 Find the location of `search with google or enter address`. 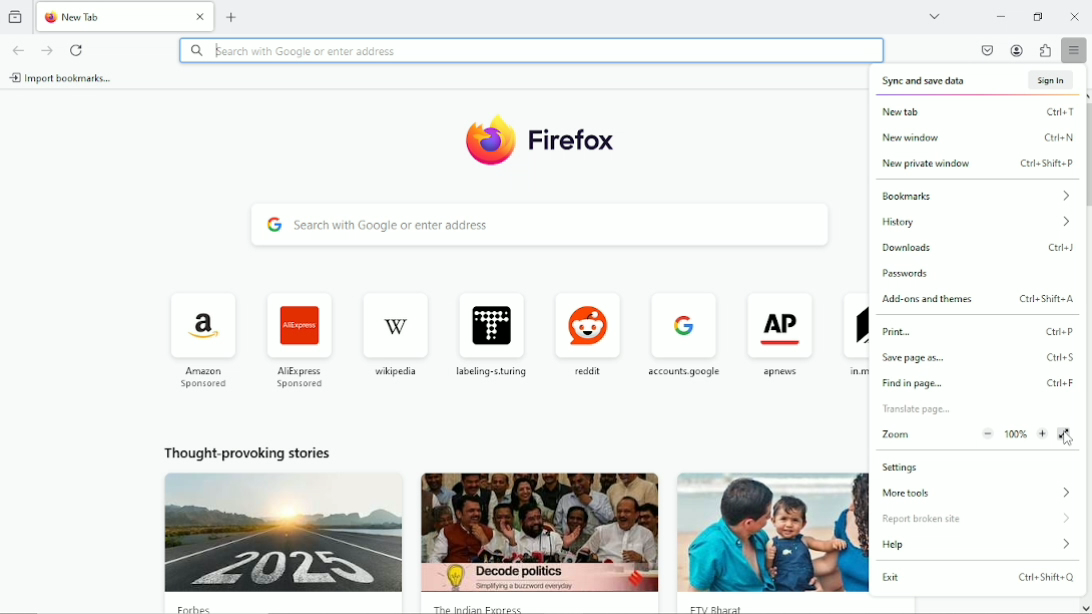

search with google or enter address is located at coordinates (543, 226).